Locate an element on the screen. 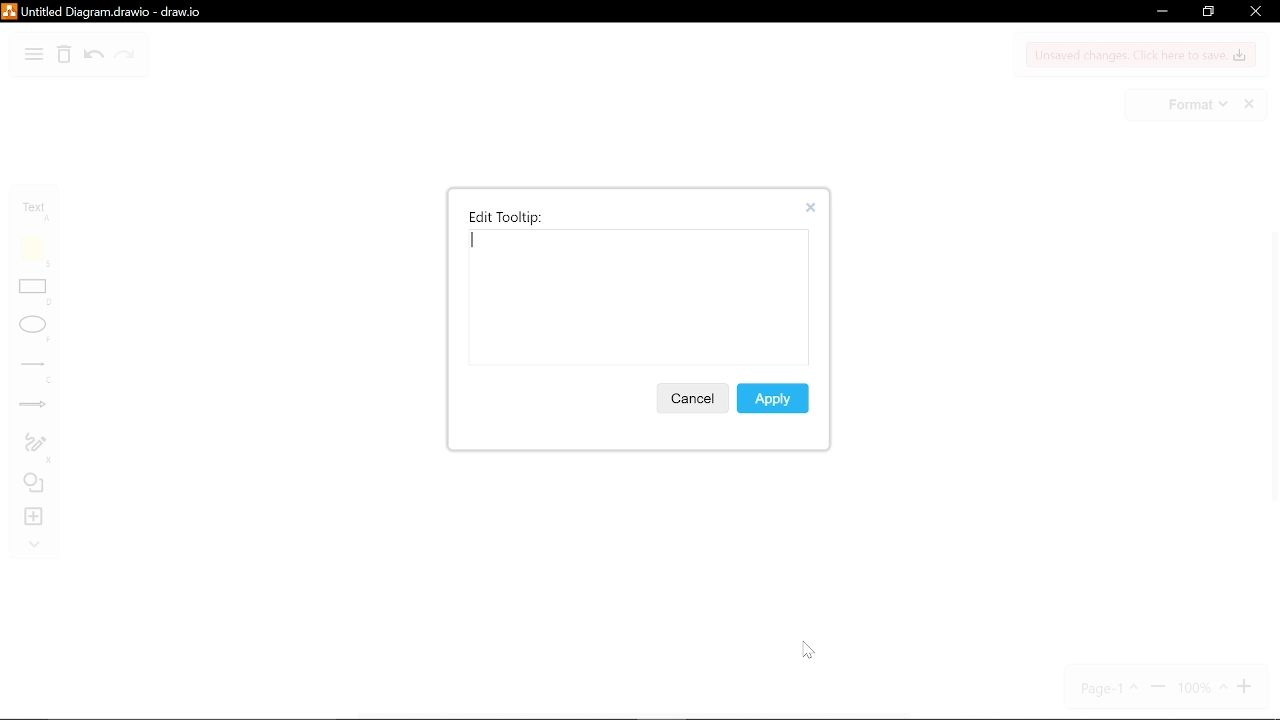  undo is located at coordinates (94, 57).